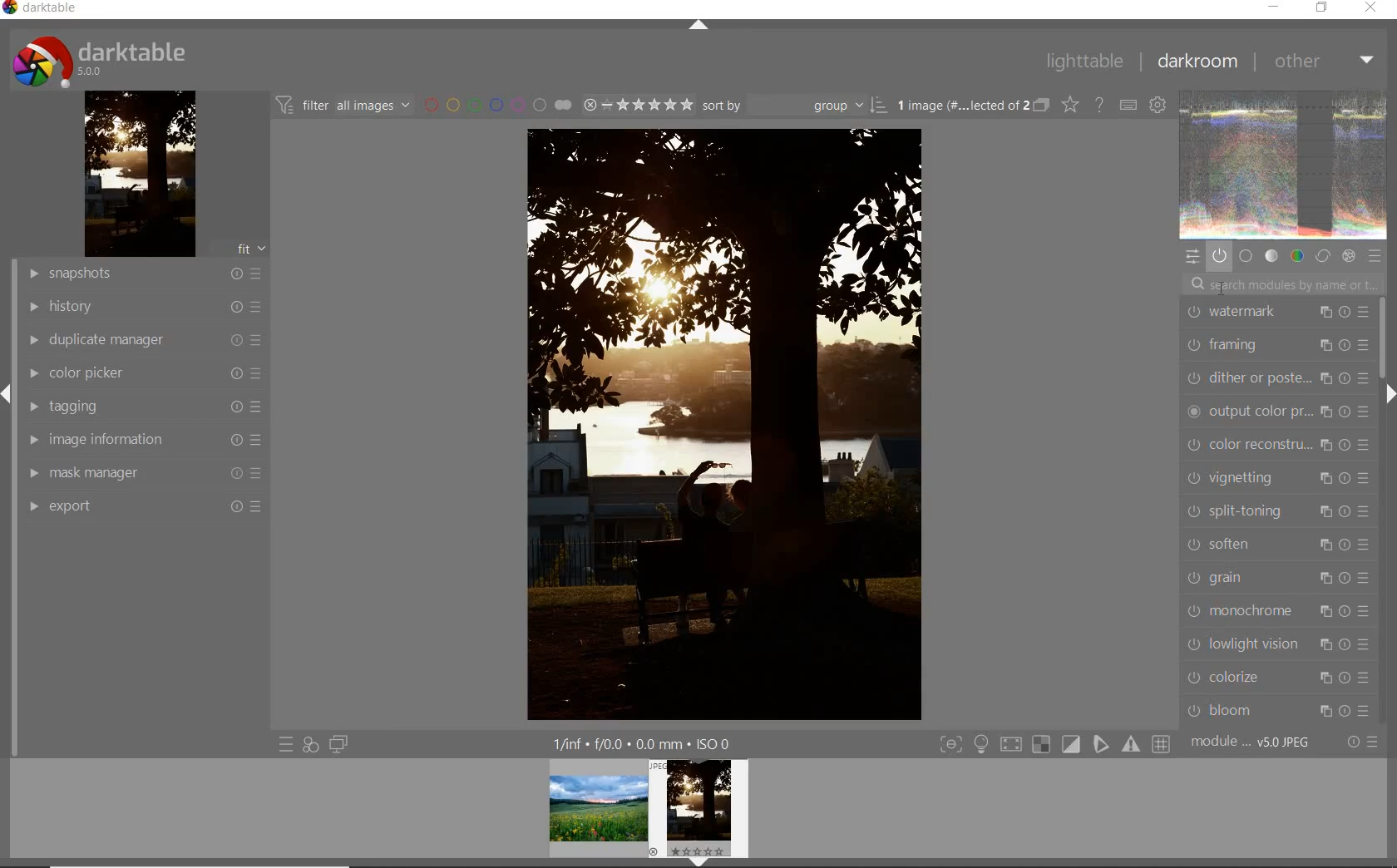 The height and width of the screenshot is (868, 1397). What do you see at coordinates (648, 812) in the screenshot?
I see `Image preview` at bounding box center [648, 812].